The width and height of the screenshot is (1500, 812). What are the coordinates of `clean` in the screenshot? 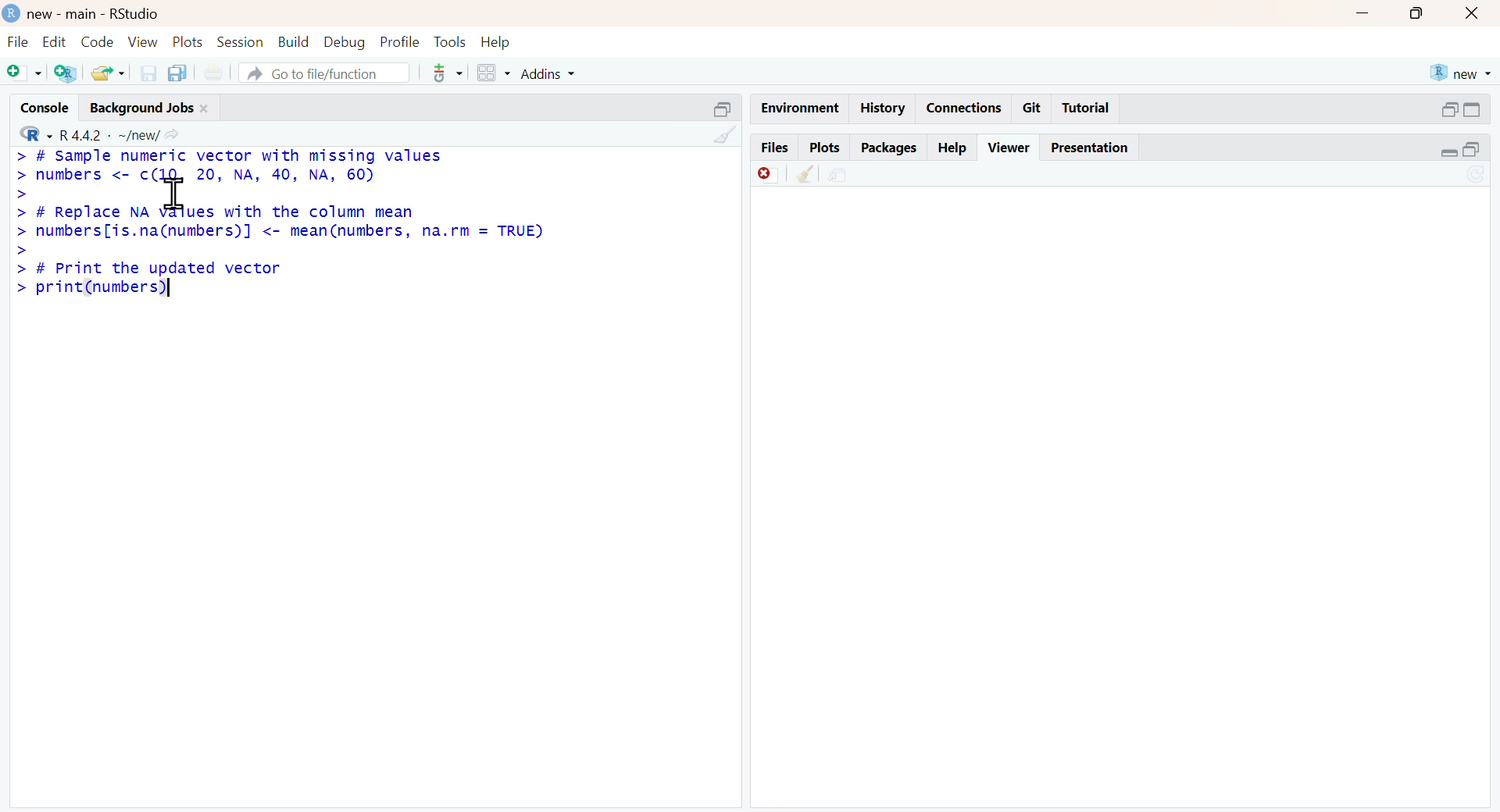 It's located at (806, 175).